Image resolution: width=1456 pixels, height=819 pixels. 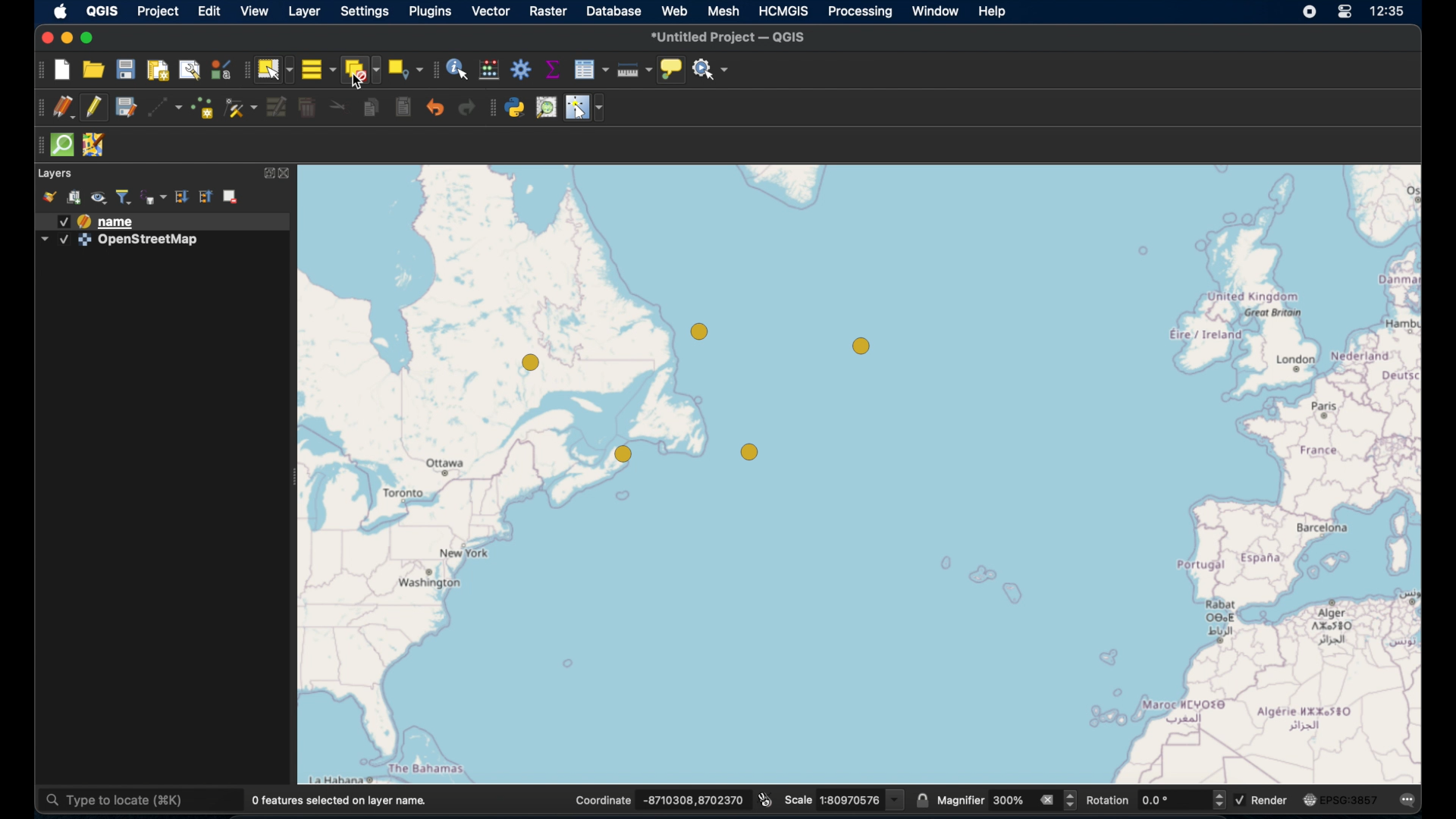 What do you see at coordinates (701, 333) in the screenshot?
I see `unselected point` at bounding box center [701, 333].